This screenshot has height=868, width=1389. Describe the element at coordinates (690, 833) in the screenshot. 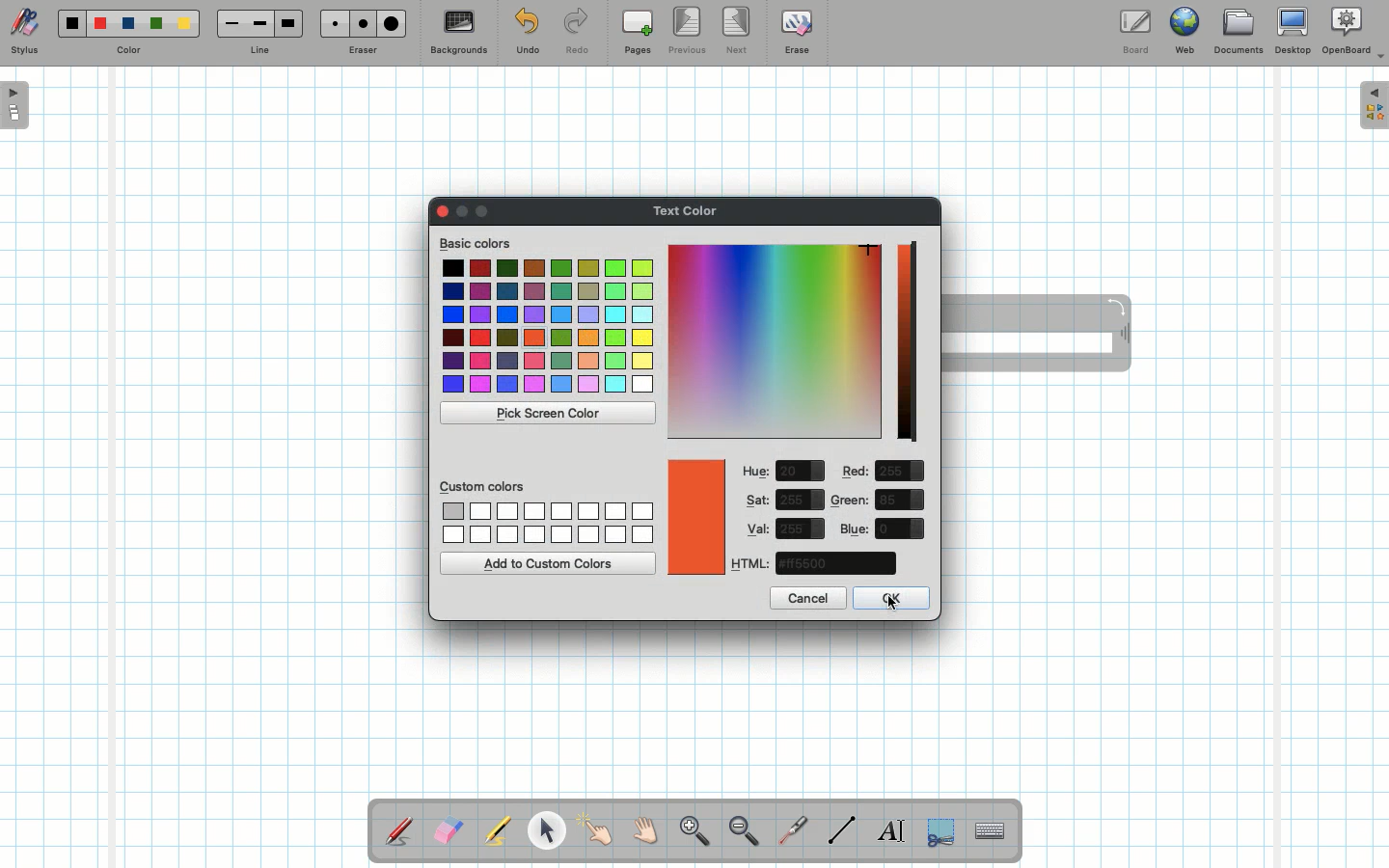

I see `Zoom in` at that location.